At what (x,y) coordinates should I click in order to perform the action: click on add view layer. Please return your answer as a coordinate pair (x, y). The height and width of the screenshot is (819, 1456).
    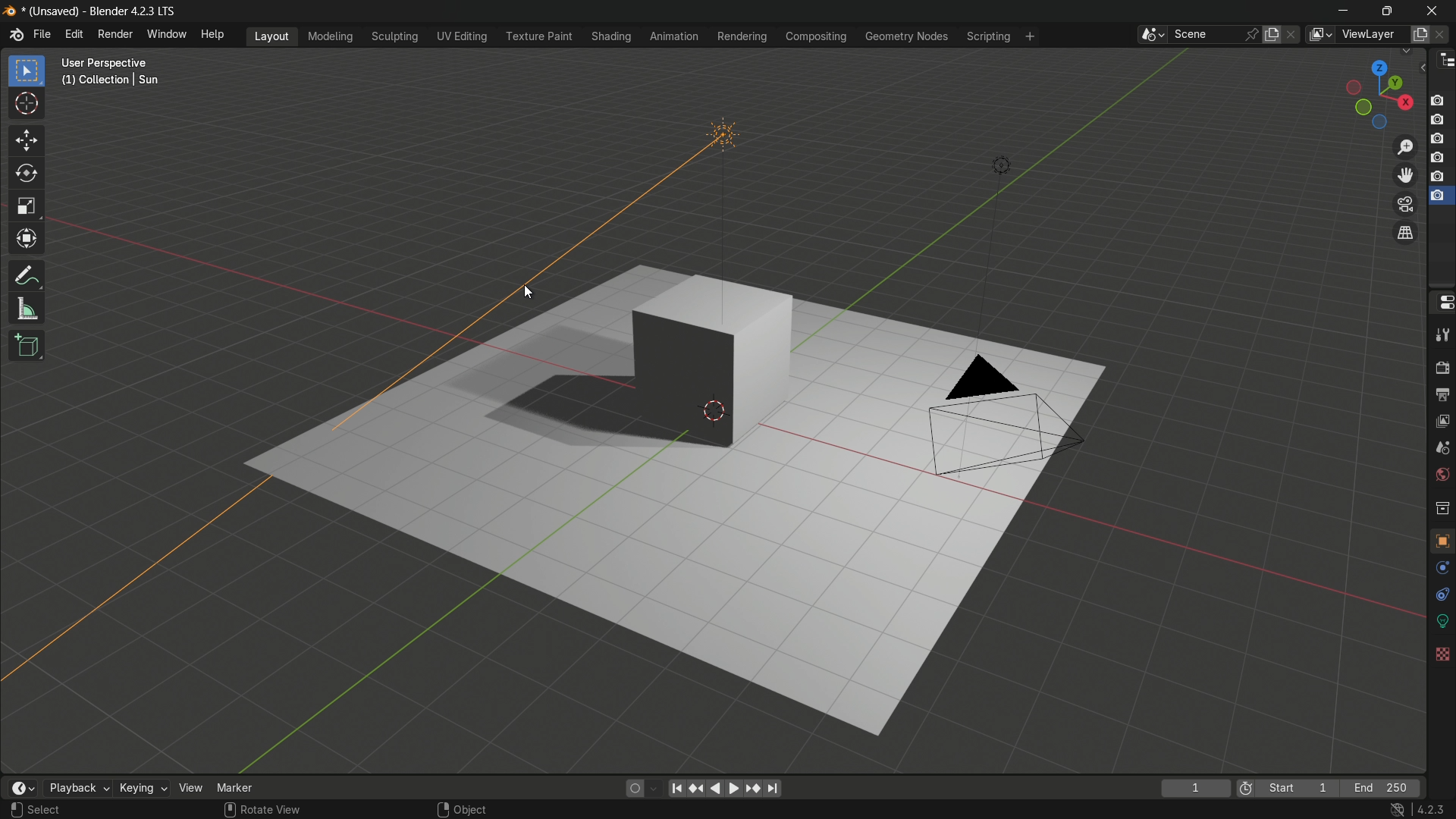
    Looking at the image, I should click on (1420, 33).